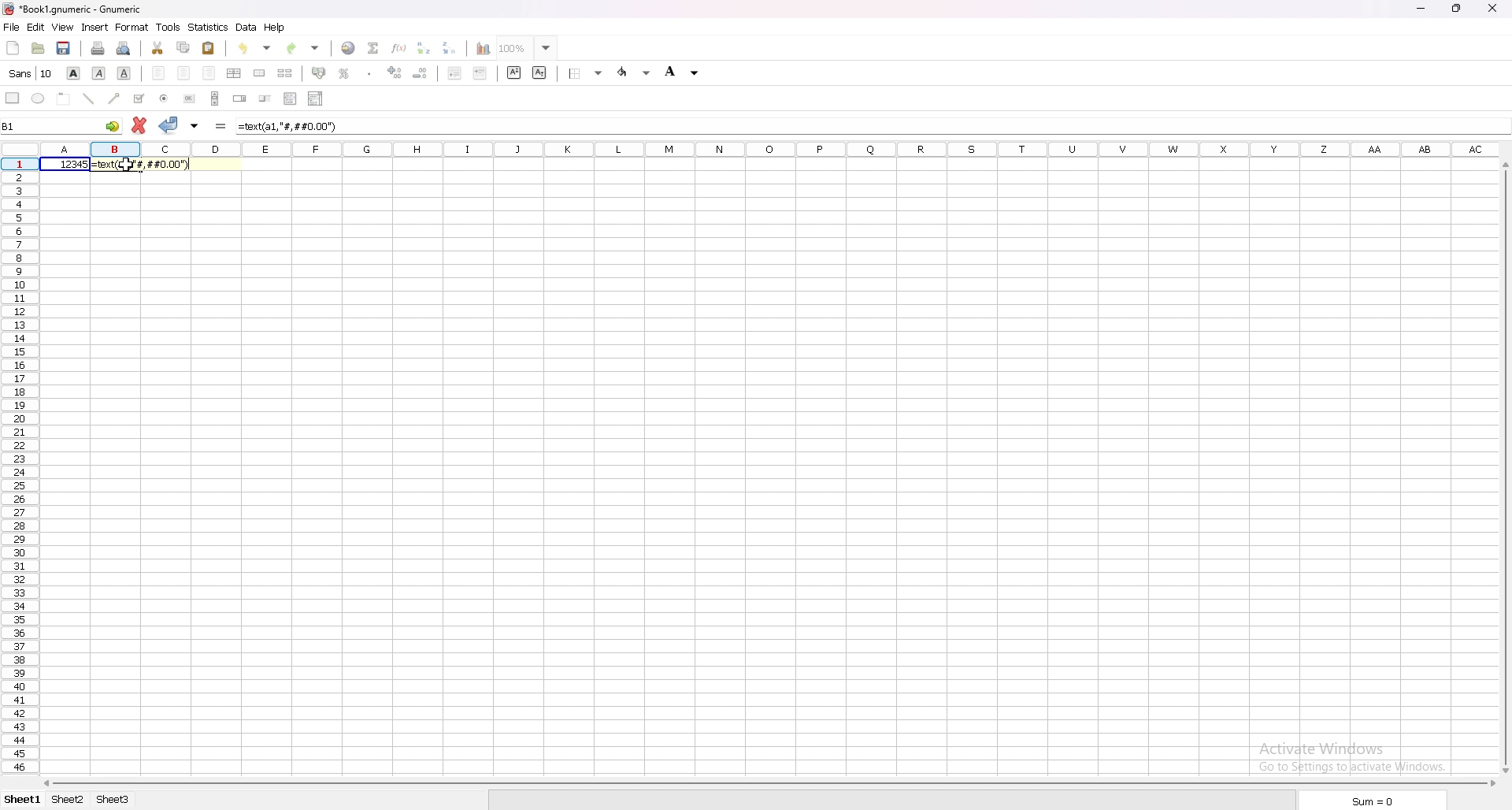  What do you see at coordinates (450, 48) in the screenshot?
I see `sort descending` at bounding box center [450, 48].